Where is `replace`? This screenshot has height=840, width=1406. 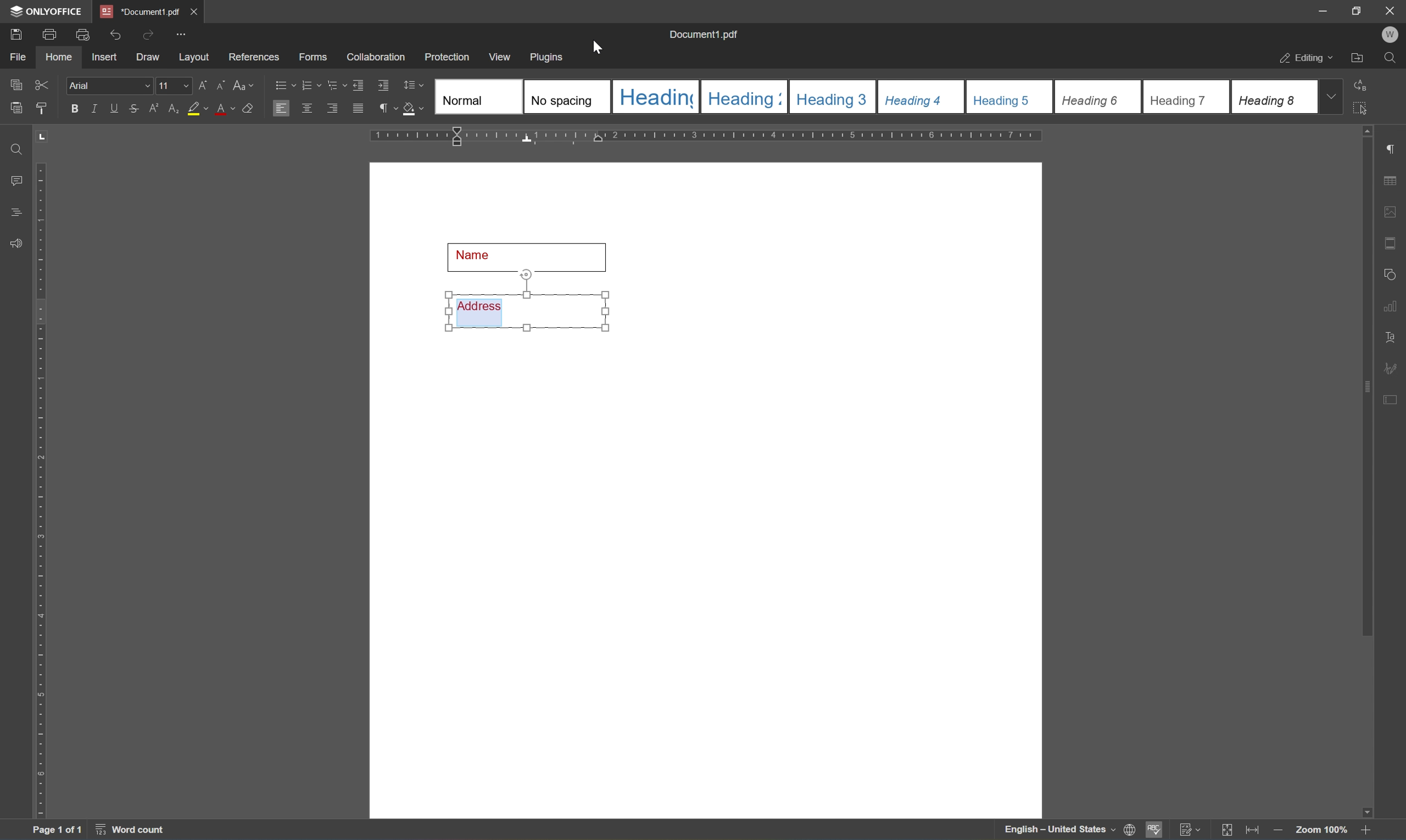 replace is located at coordinates (1365, 85).